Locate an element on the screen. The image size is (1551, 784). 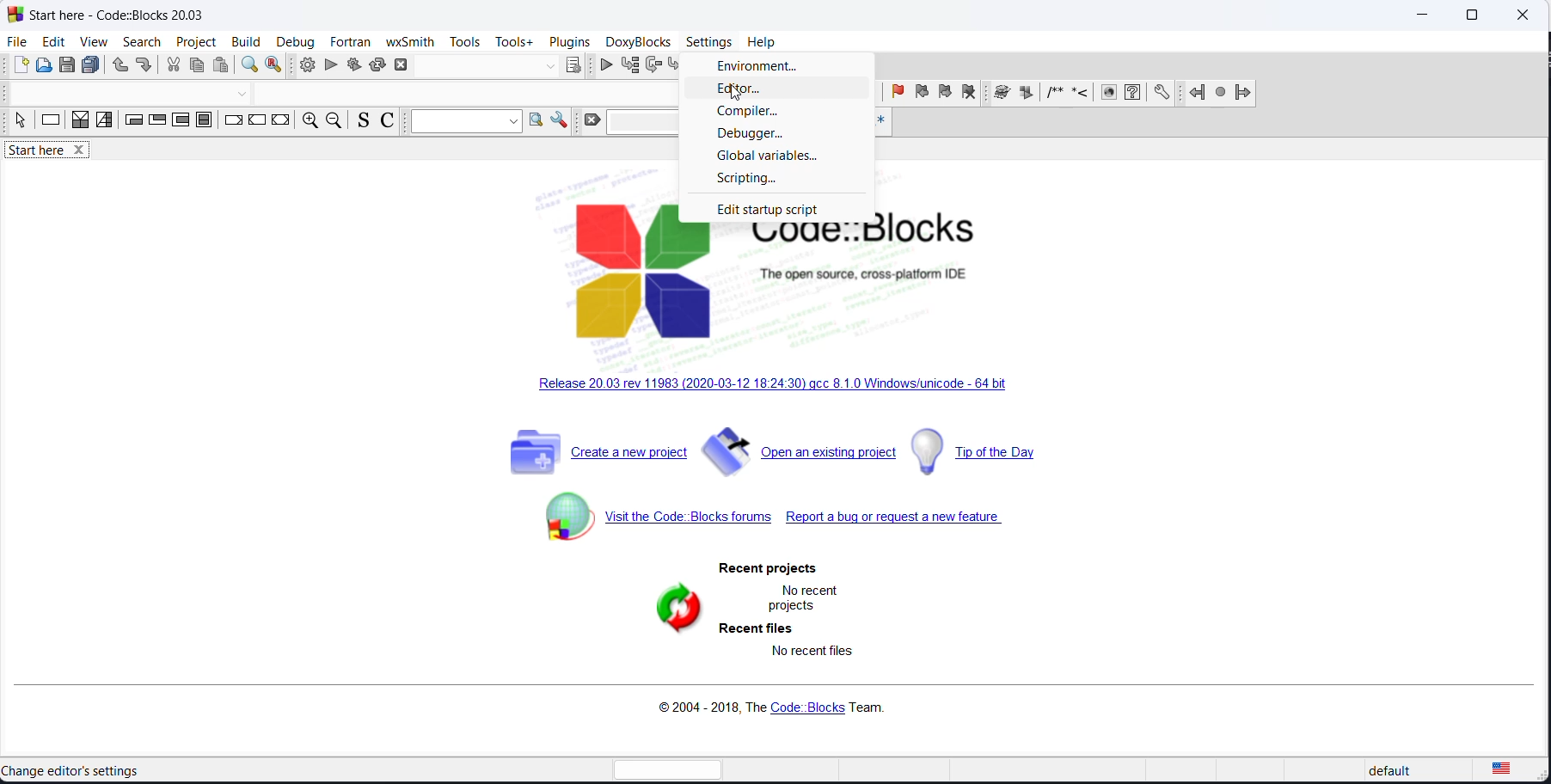
run to cursor is located at coordinates (633, 65).